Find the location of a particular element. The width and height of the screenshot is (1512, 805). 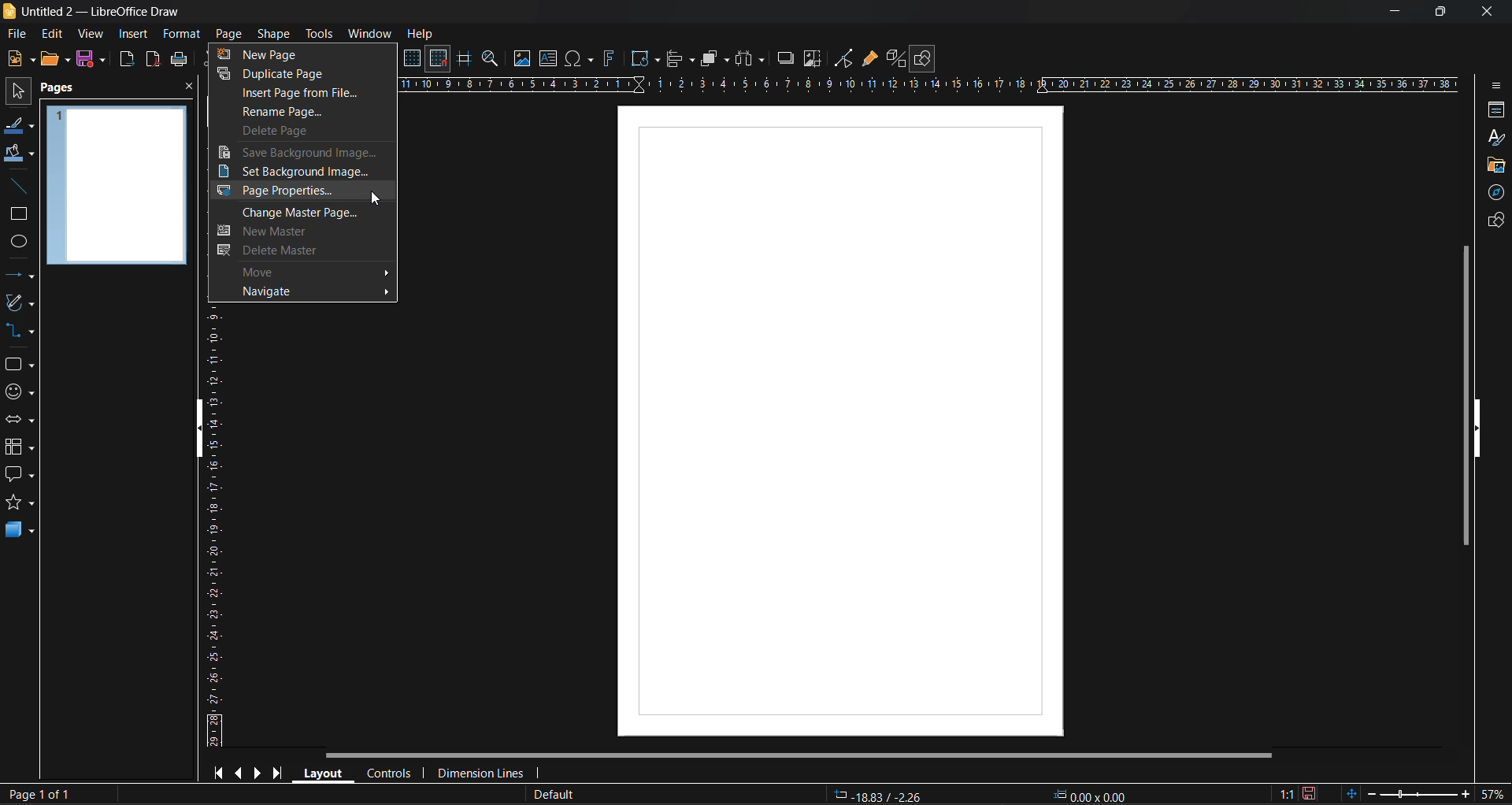

zoom slider is located at coordinates (1411, 795).